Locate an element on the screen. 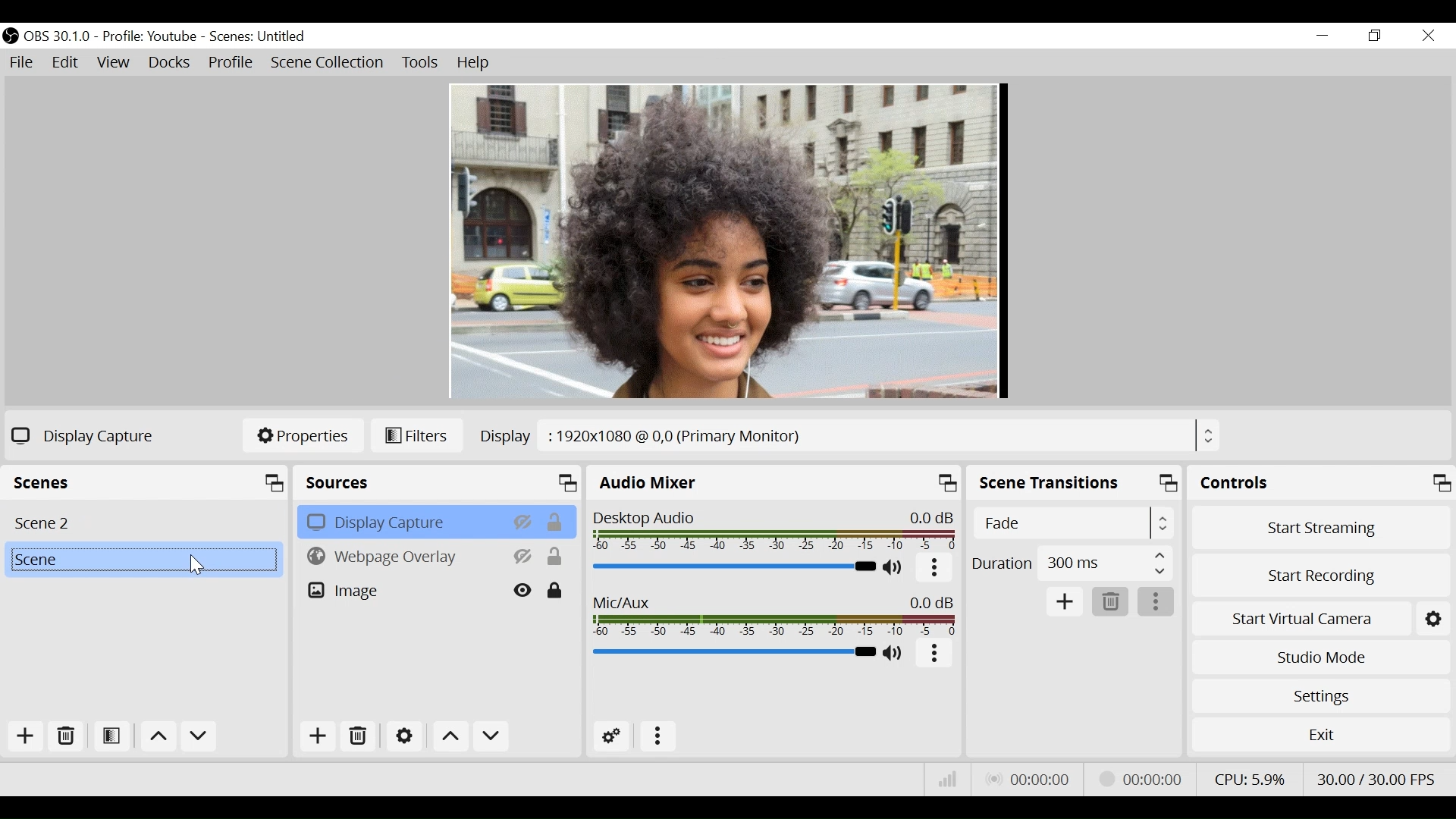  Scene is located at coordinates (144, 521).